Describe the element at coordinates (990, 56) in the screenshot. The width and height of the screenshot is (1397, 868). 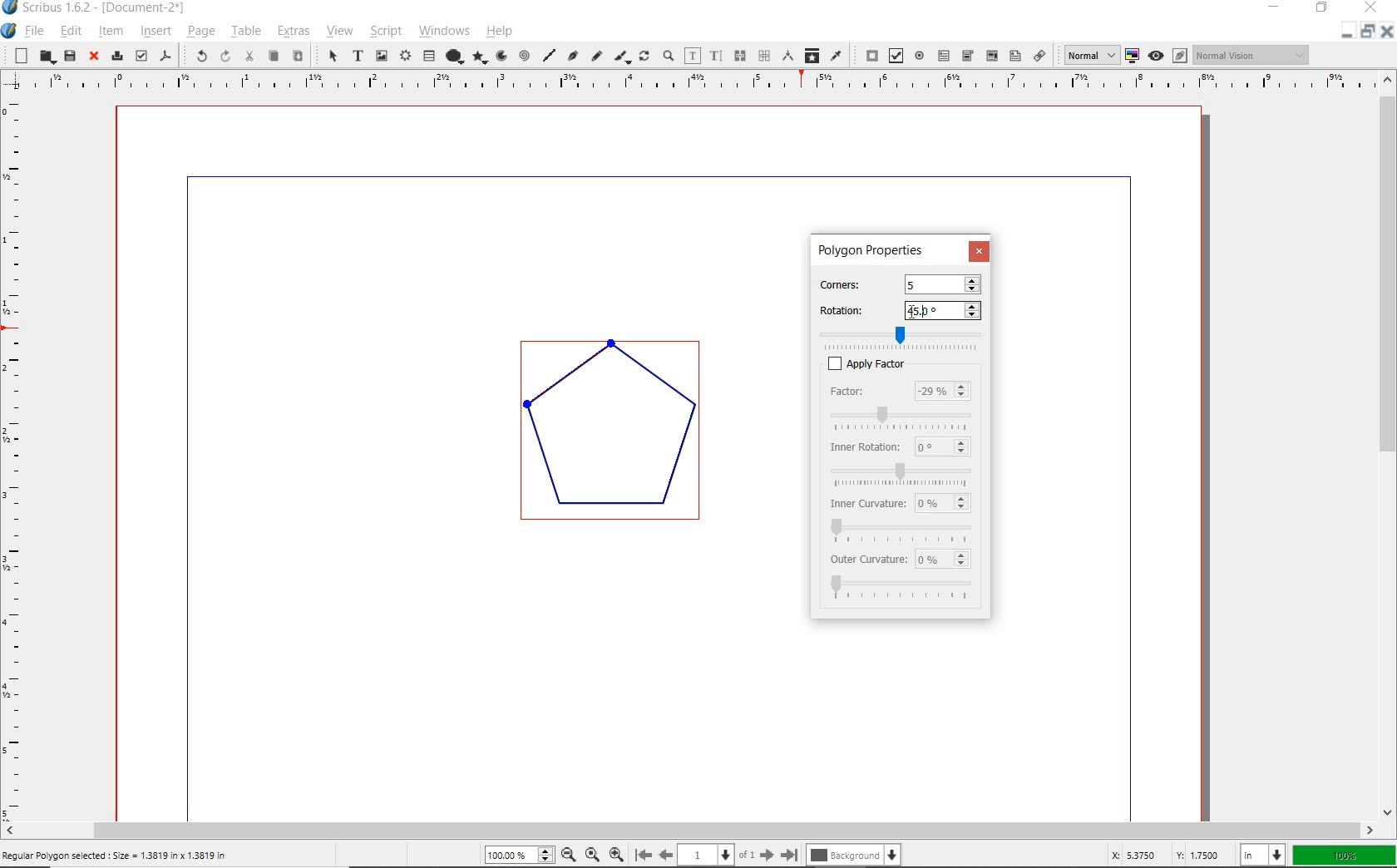
I see `pdf combo box` at that location.